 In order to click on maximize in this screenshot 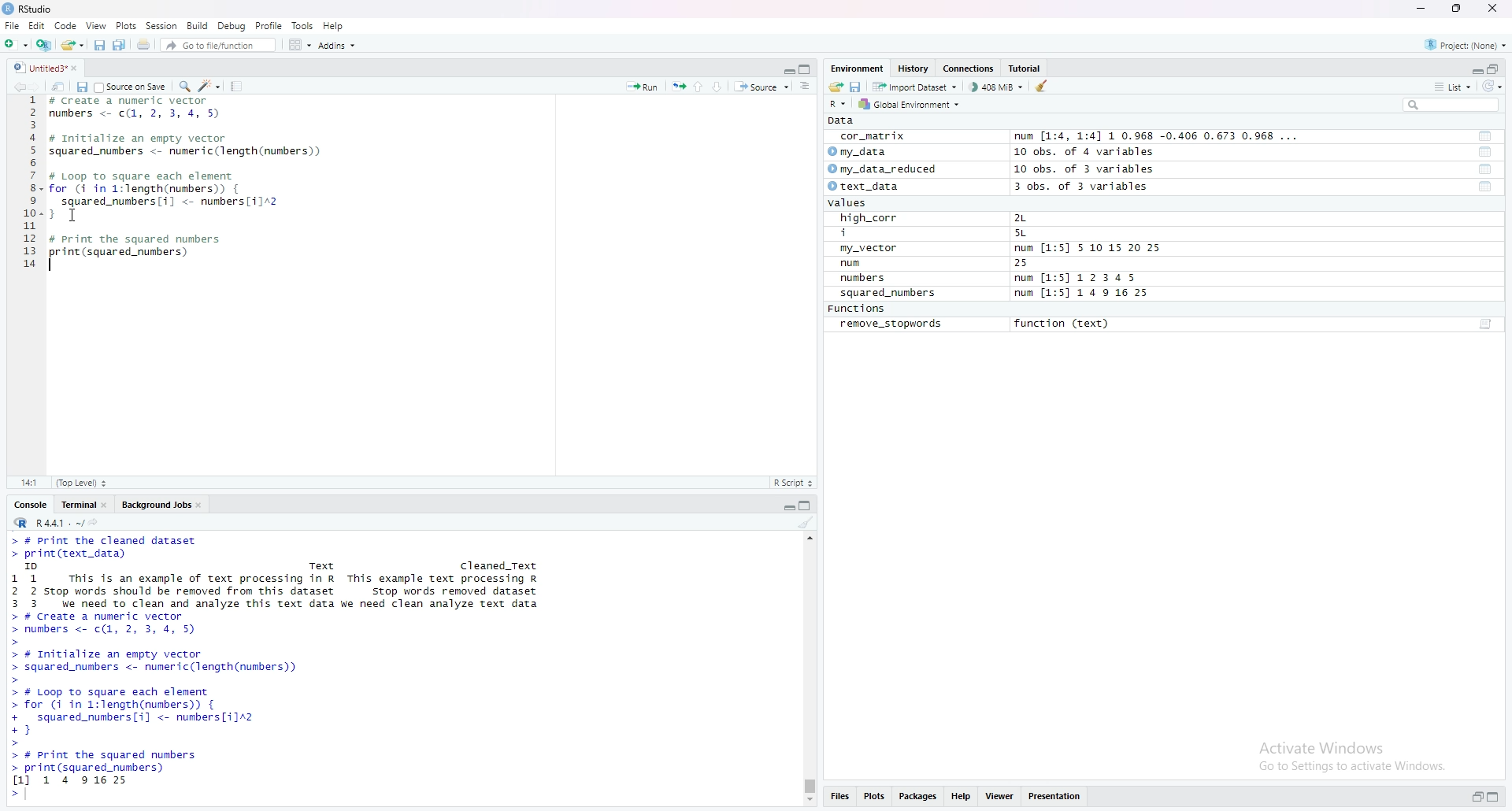, I will do `click(1498, 798)`.